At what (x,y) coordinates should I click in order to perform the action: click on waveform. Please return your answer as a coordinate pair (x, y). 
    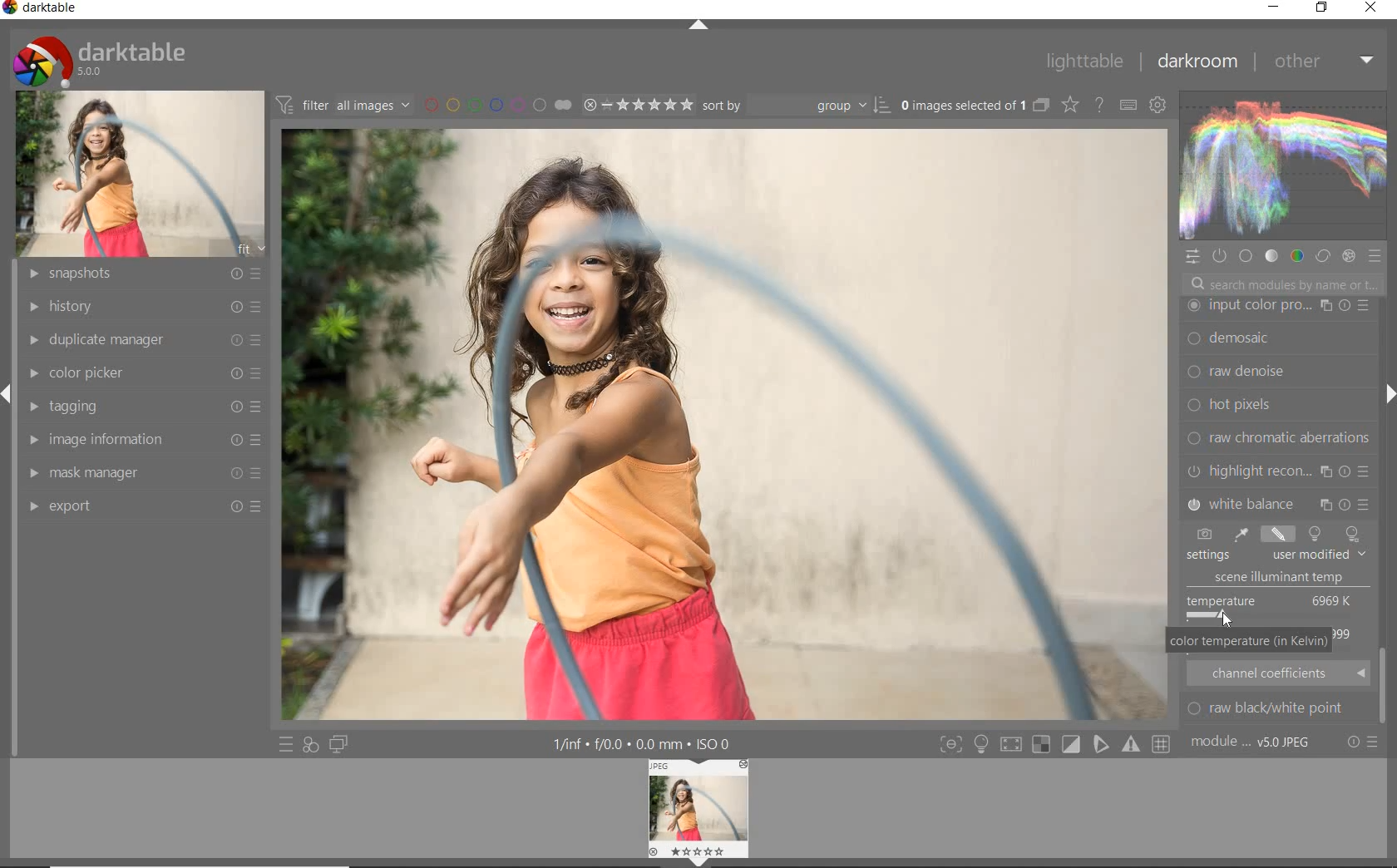
    Looking at the image, I should click on (1281, 165).